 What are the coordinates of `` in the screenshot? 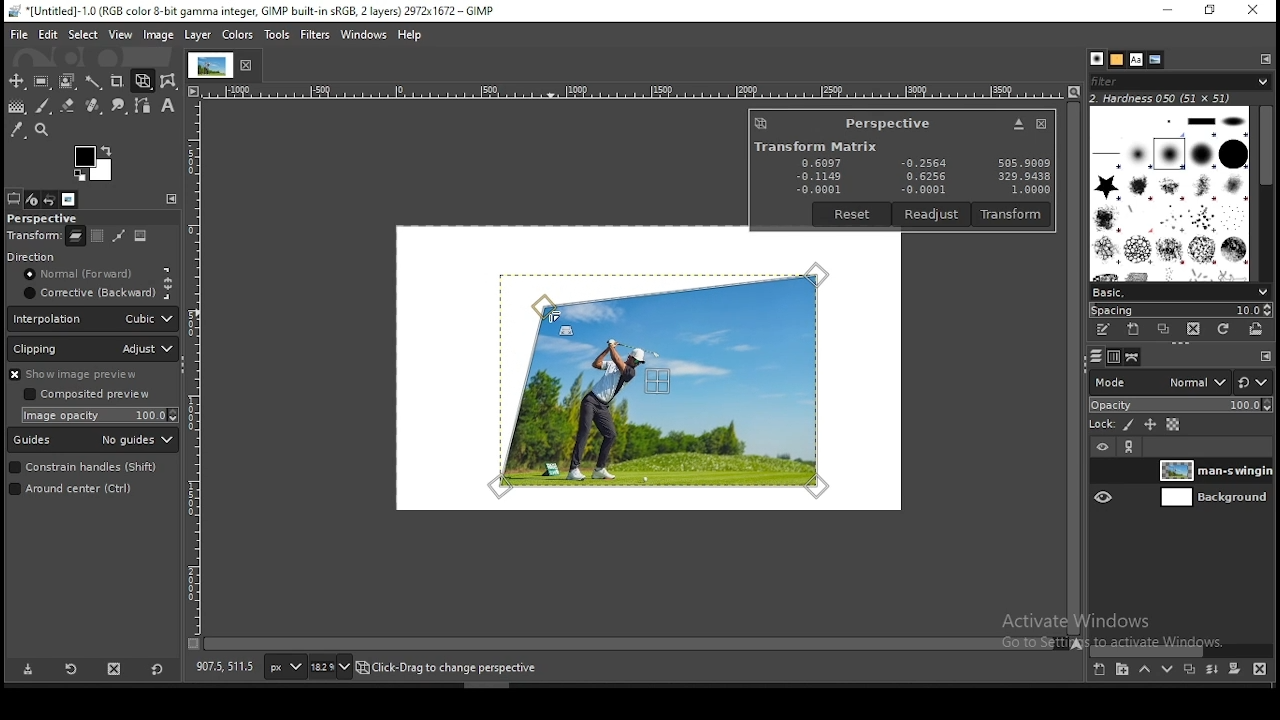 It's located at (1018, 124).